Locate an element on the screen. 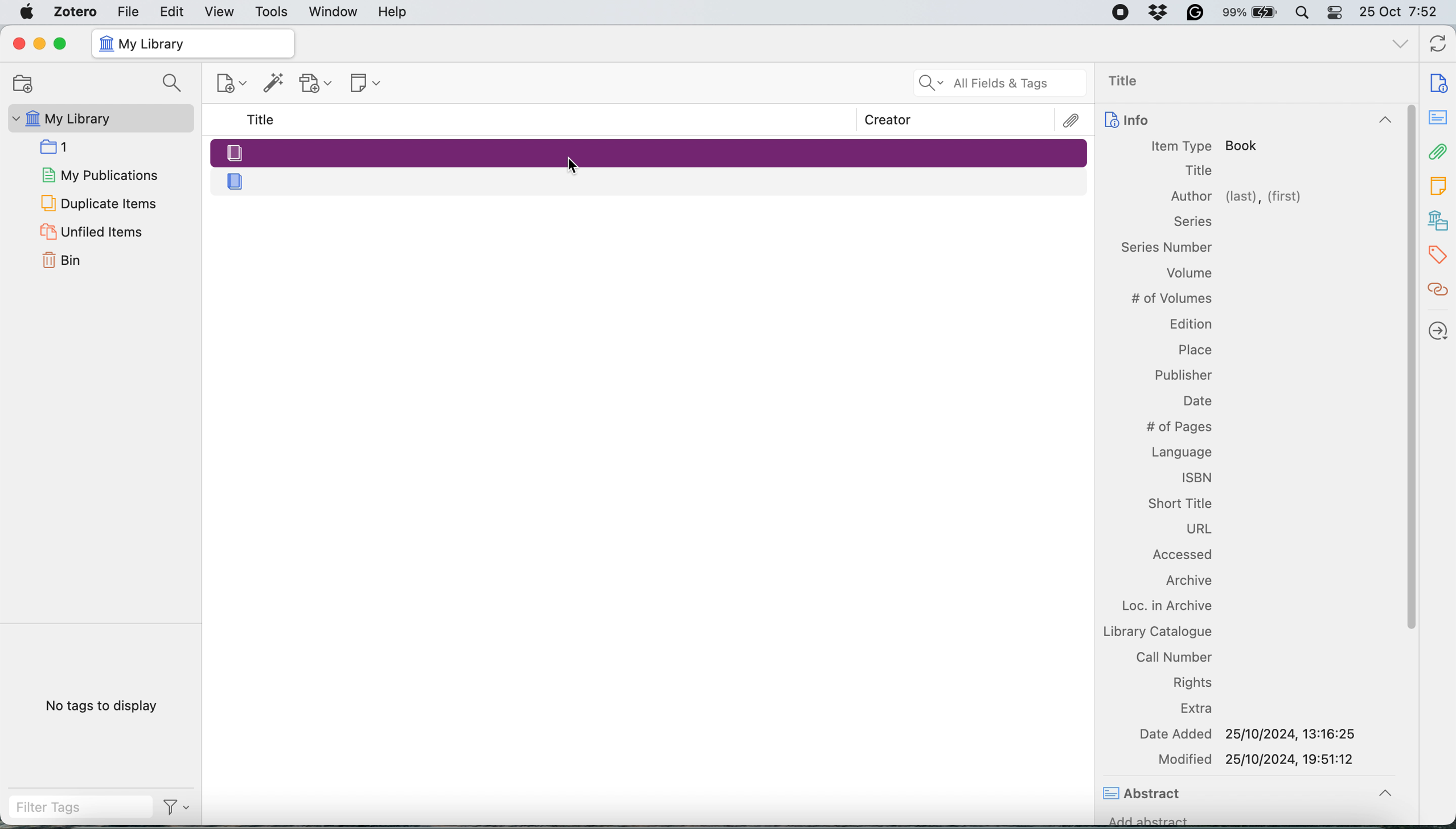  Volume is located at coordinates (1190, 275).